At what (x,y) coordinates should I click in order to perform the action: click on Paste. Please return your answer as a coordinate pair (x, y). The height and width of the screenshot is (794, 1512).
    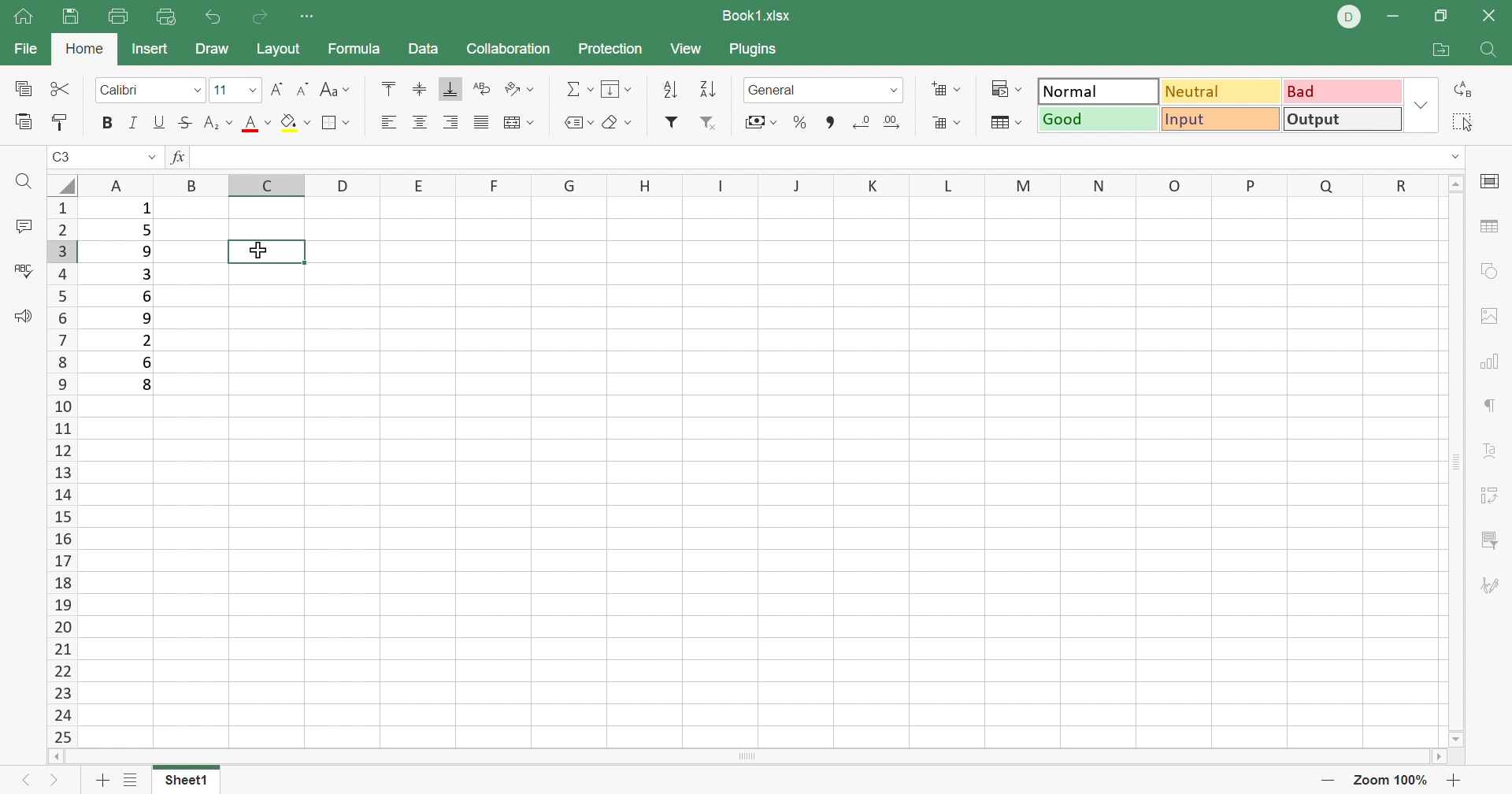
    Looking at the image, I should click on (23, 121).